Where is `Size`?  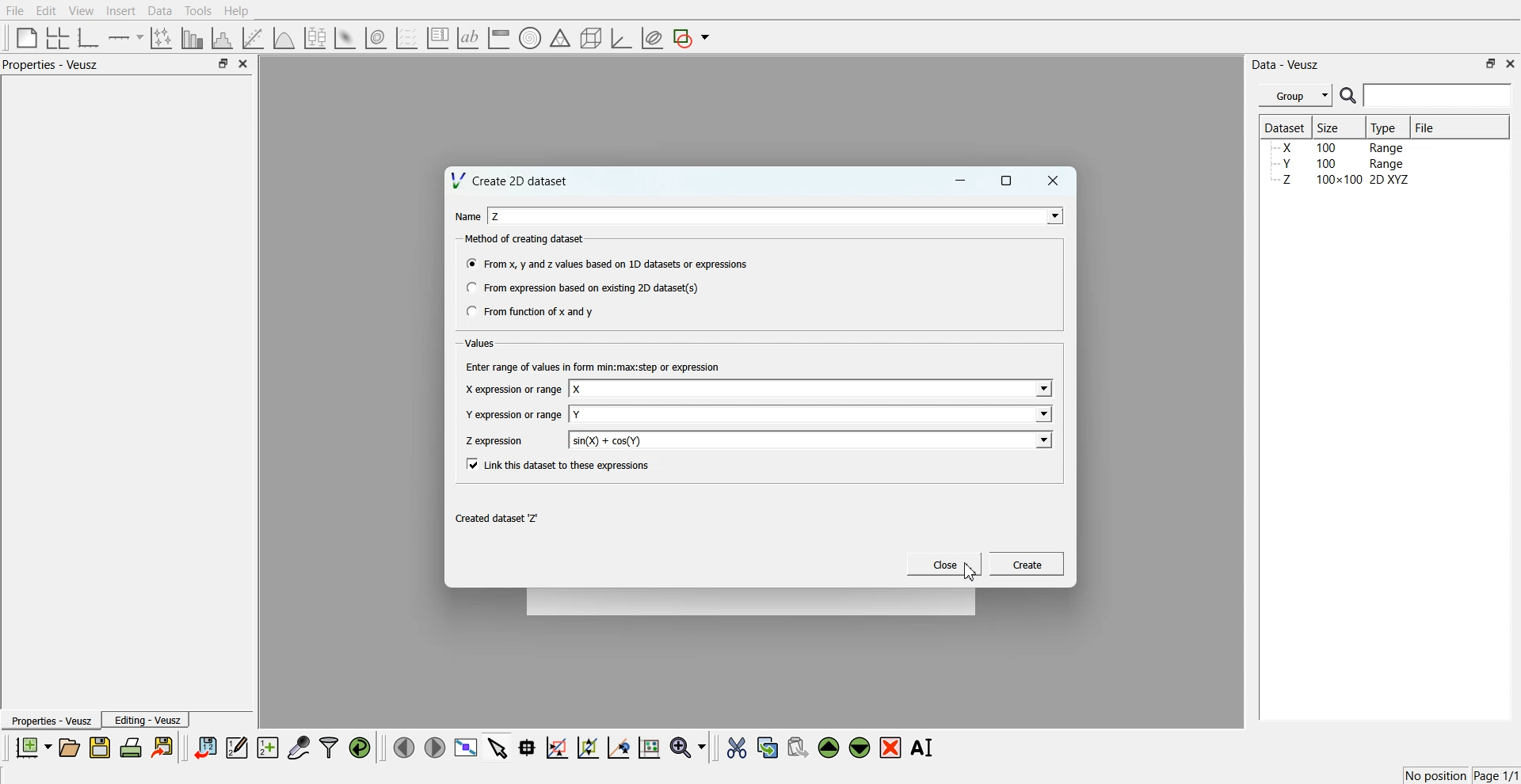
Size is located at coordinates (1331, 127).